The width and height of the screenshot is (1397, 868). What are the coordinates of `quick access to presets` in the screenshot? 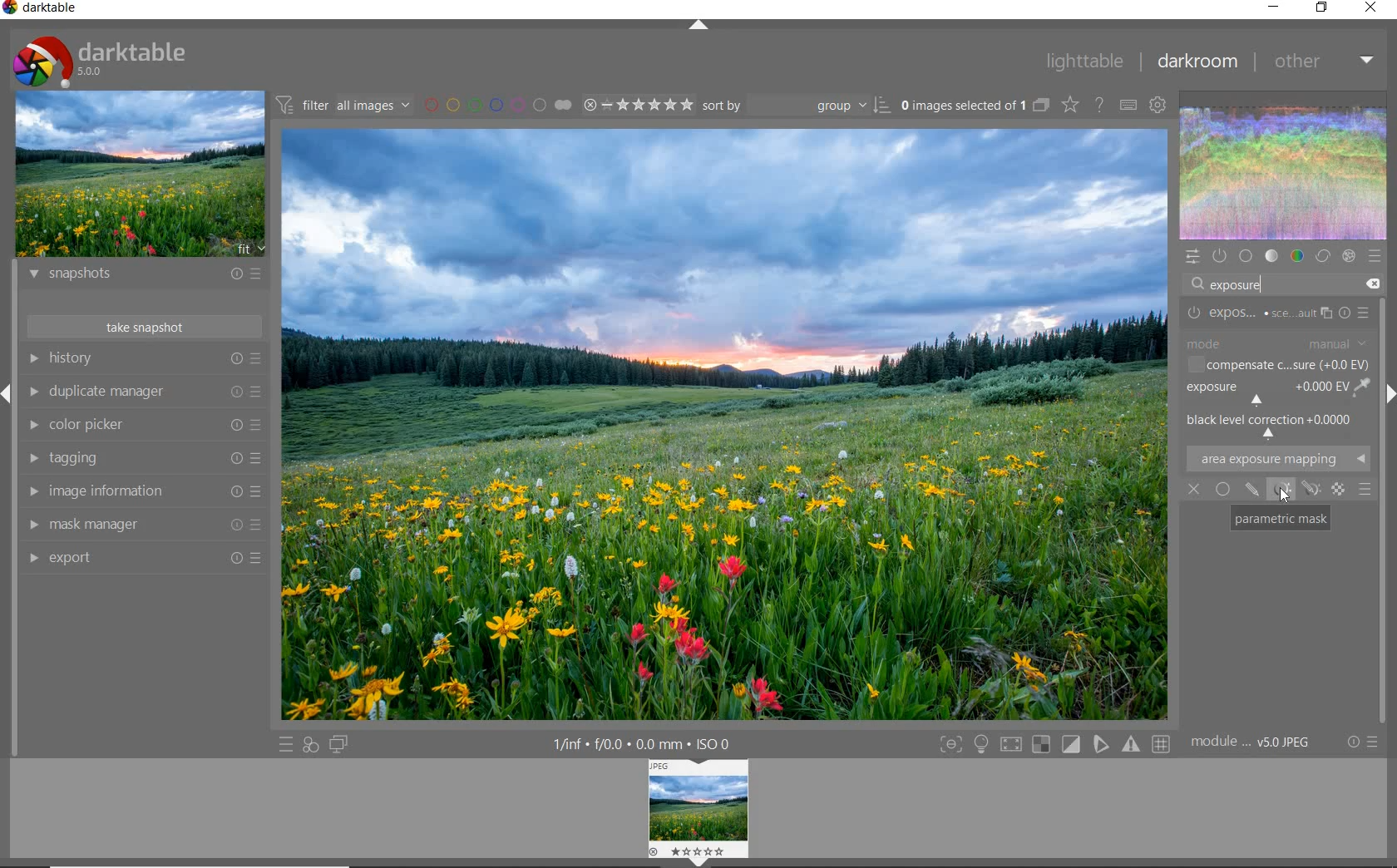 It's located at (285, 745).